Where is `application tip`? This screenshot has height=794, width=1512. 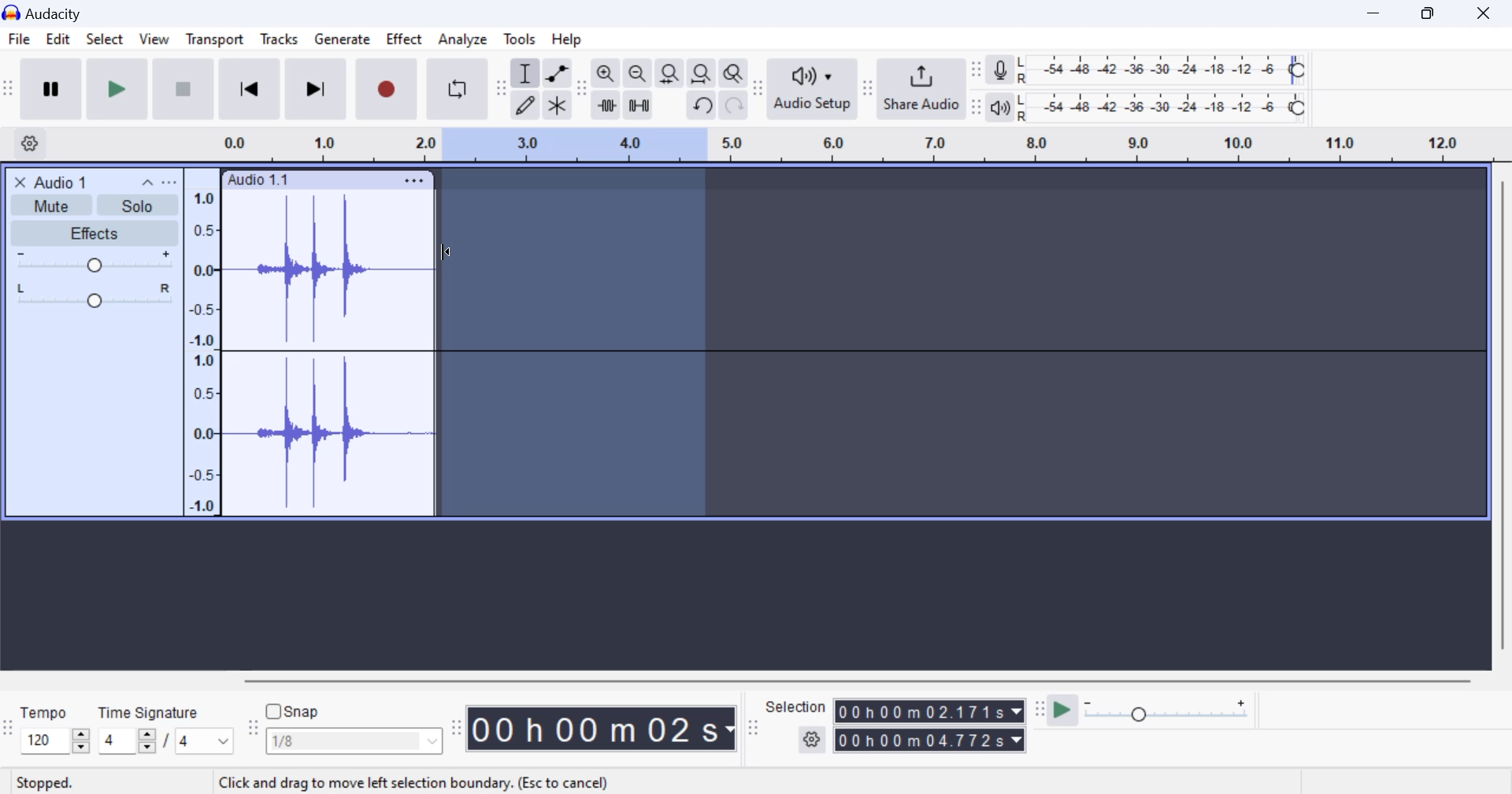
application tip is located at coordinates (413, 782).